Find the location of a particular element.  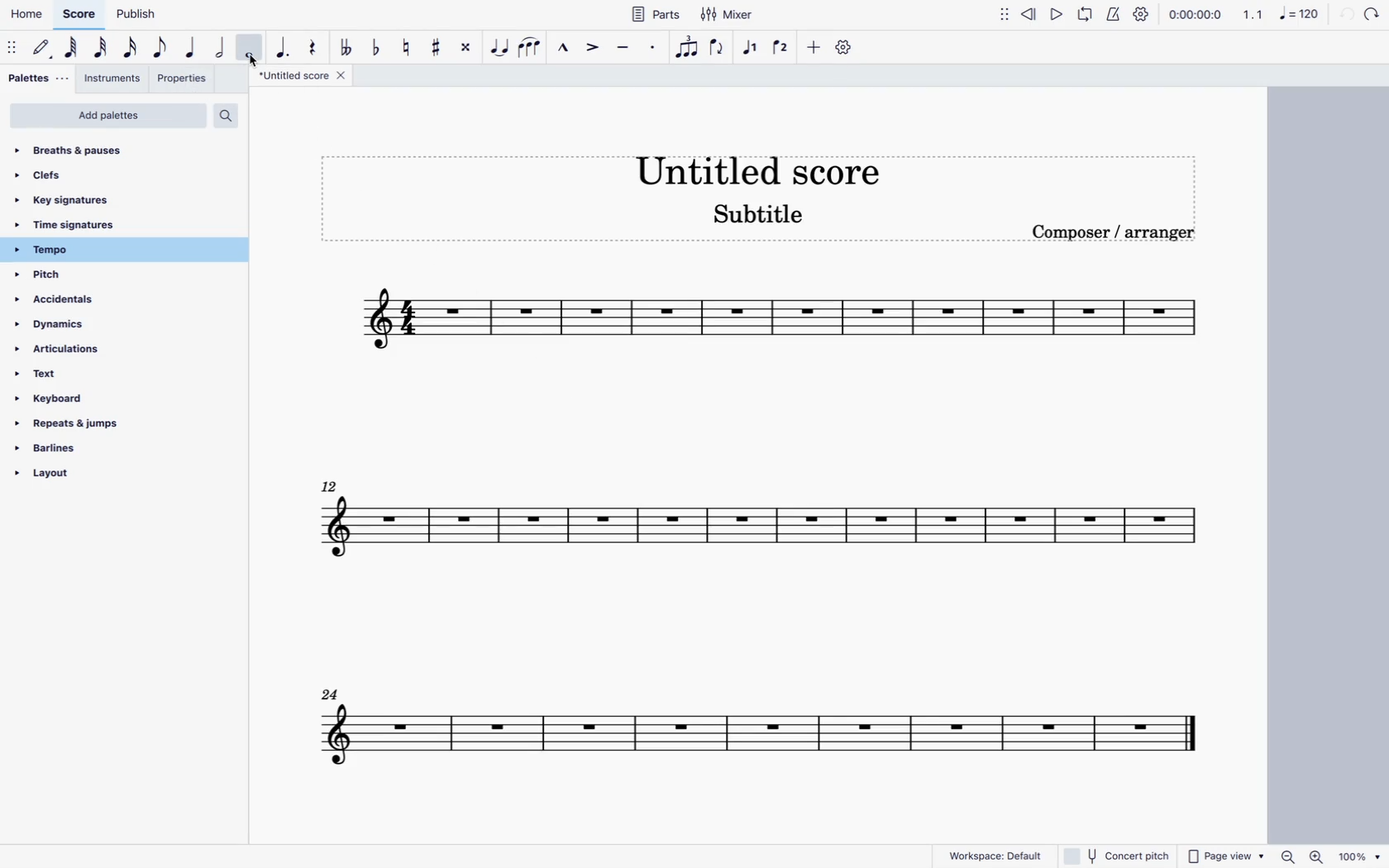

score is located at coordinates (785, 322).